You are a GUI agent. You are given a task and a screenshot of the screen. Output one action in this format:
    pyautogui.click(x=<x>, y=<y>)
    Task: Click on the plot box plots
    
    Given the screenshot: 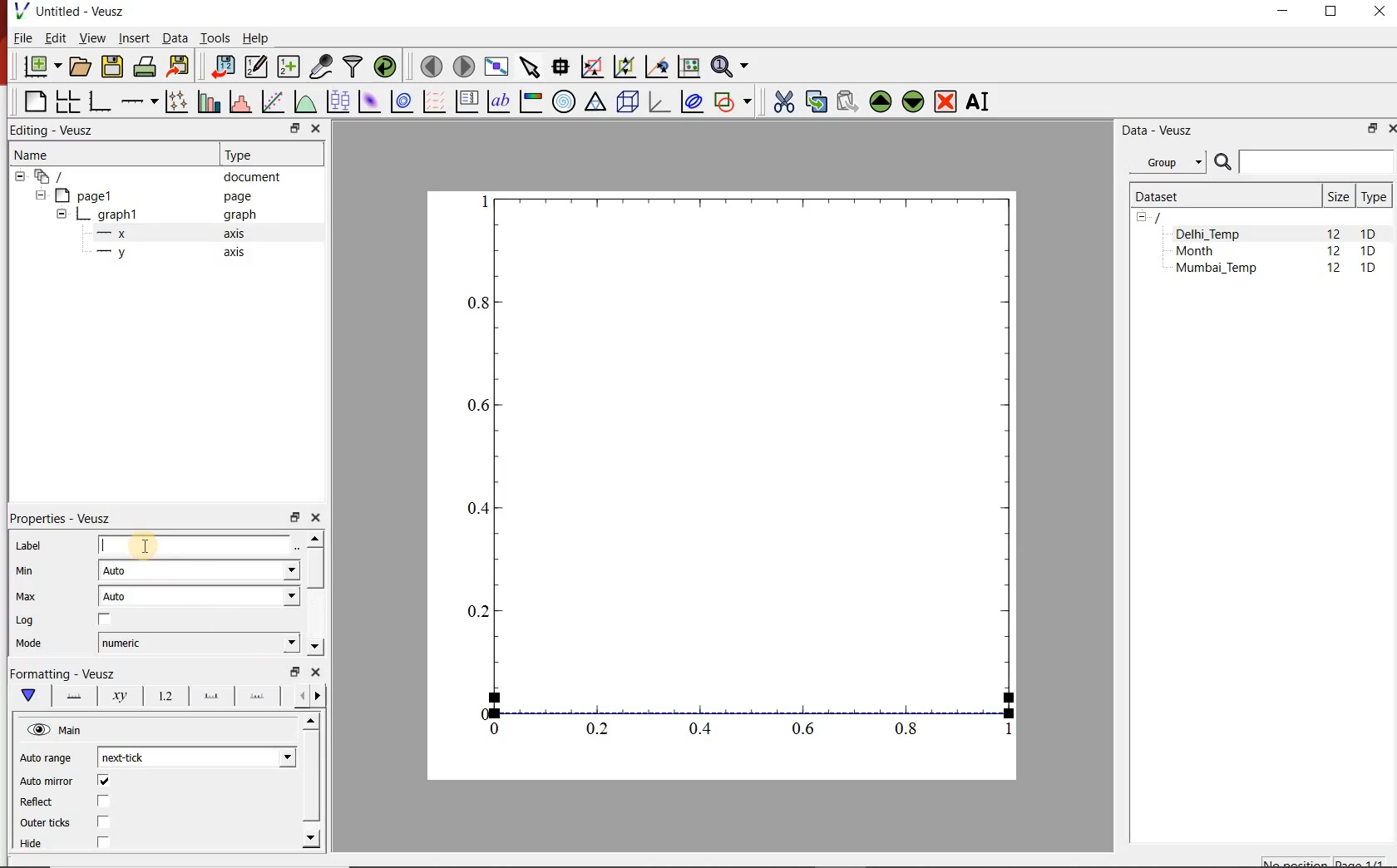 What is the action you would take?
    pyautogui.click(x=338, y=101)
    